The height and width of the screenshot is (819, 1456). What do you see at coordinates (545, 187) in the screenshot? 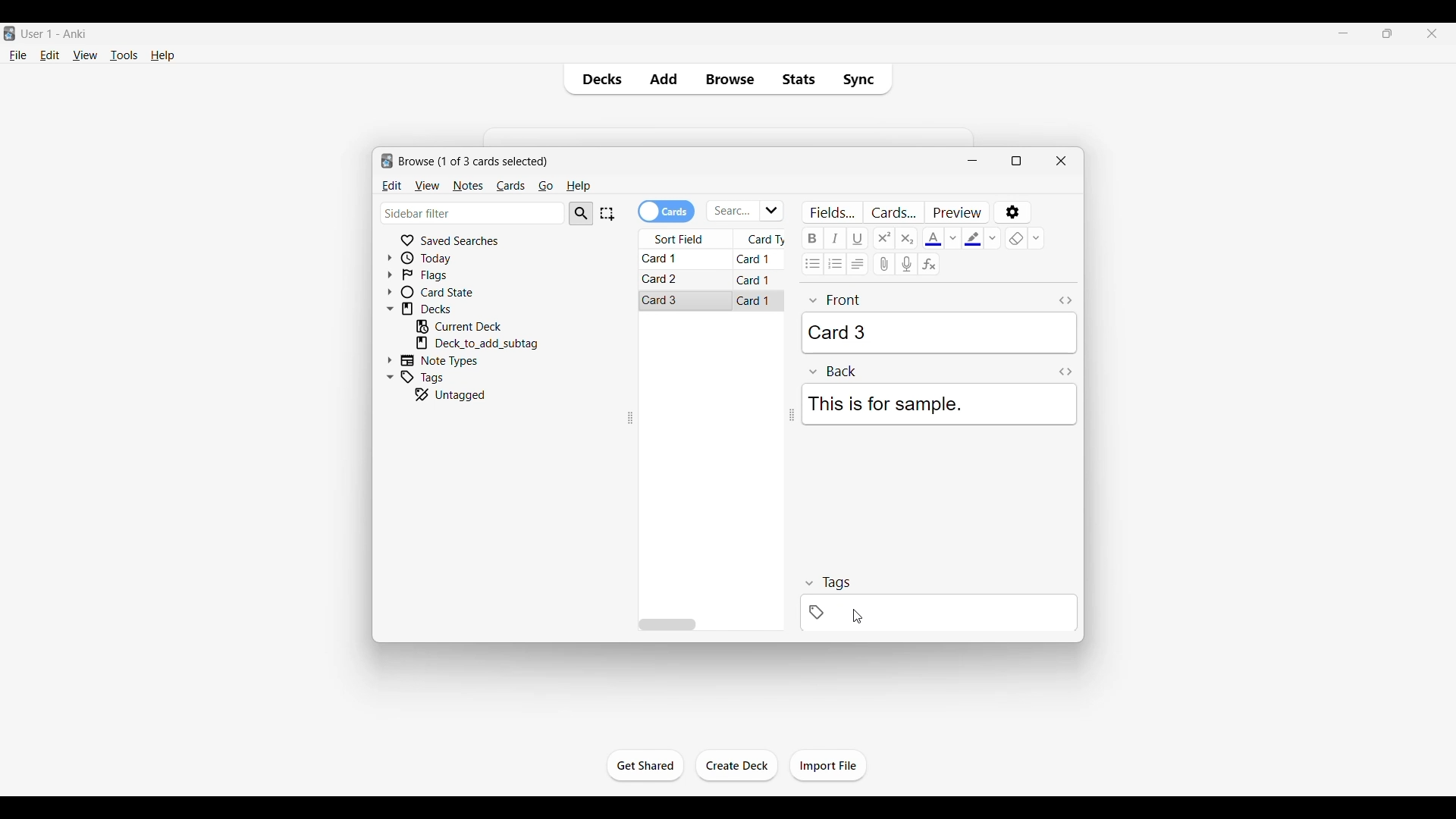
I see `Go menu` at bounding box center [545, 187].